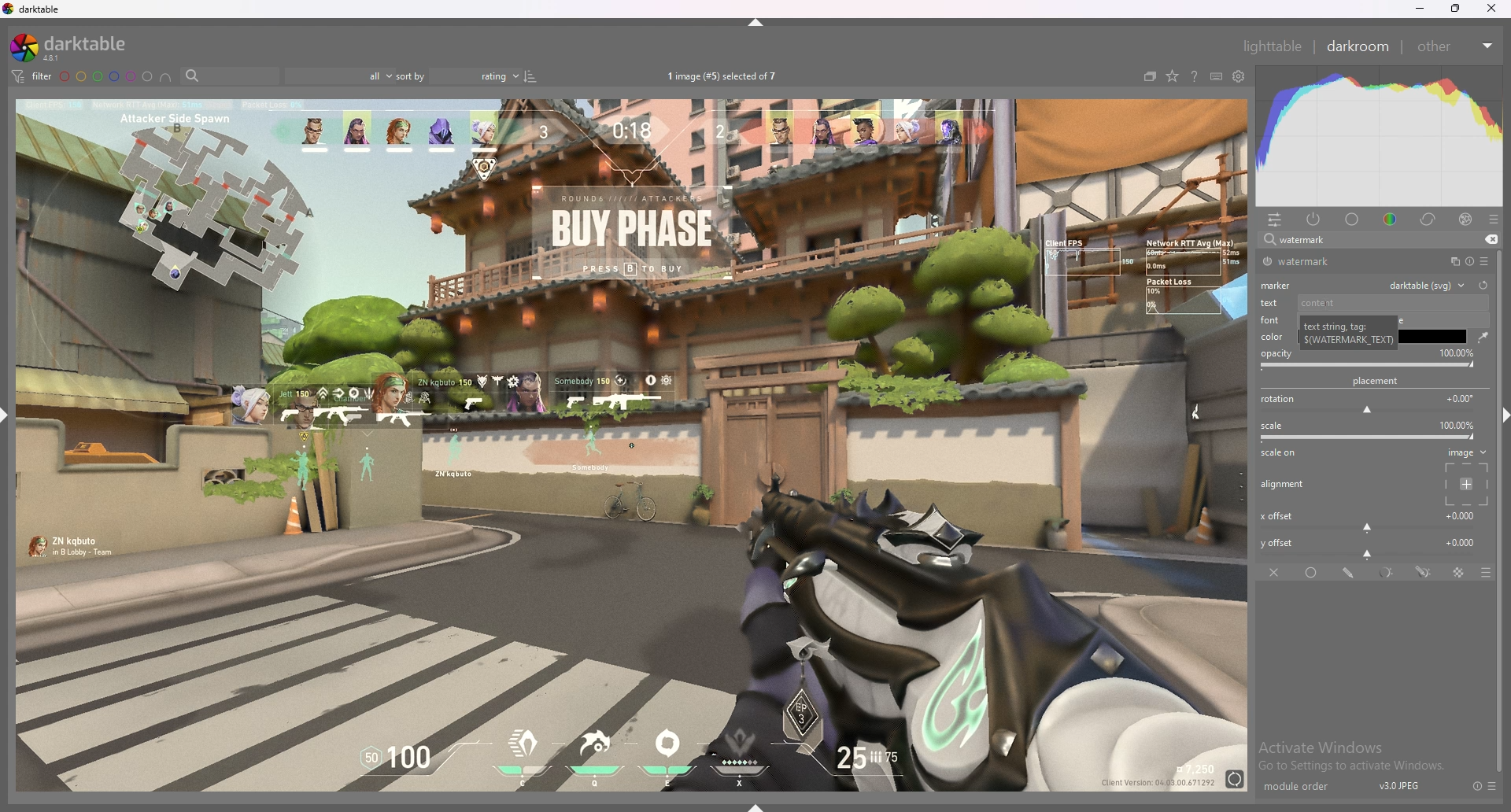 The image size is (1511, 812). Describe the element at coordinates (1450, 262) in the screenshot. I see `multiple instances action` at that location.